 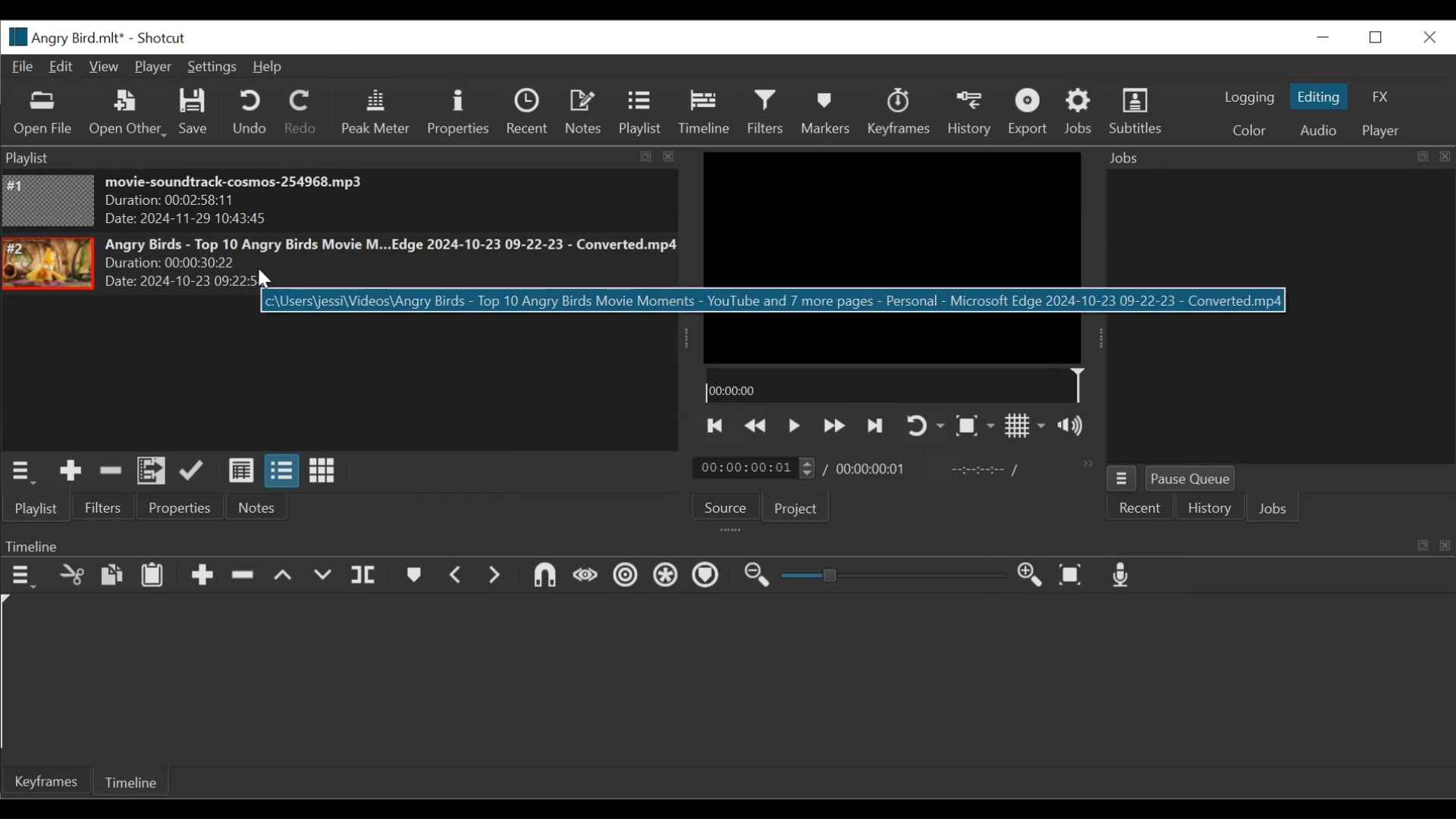 I want to click on Undo, so click(x=251, y=112).